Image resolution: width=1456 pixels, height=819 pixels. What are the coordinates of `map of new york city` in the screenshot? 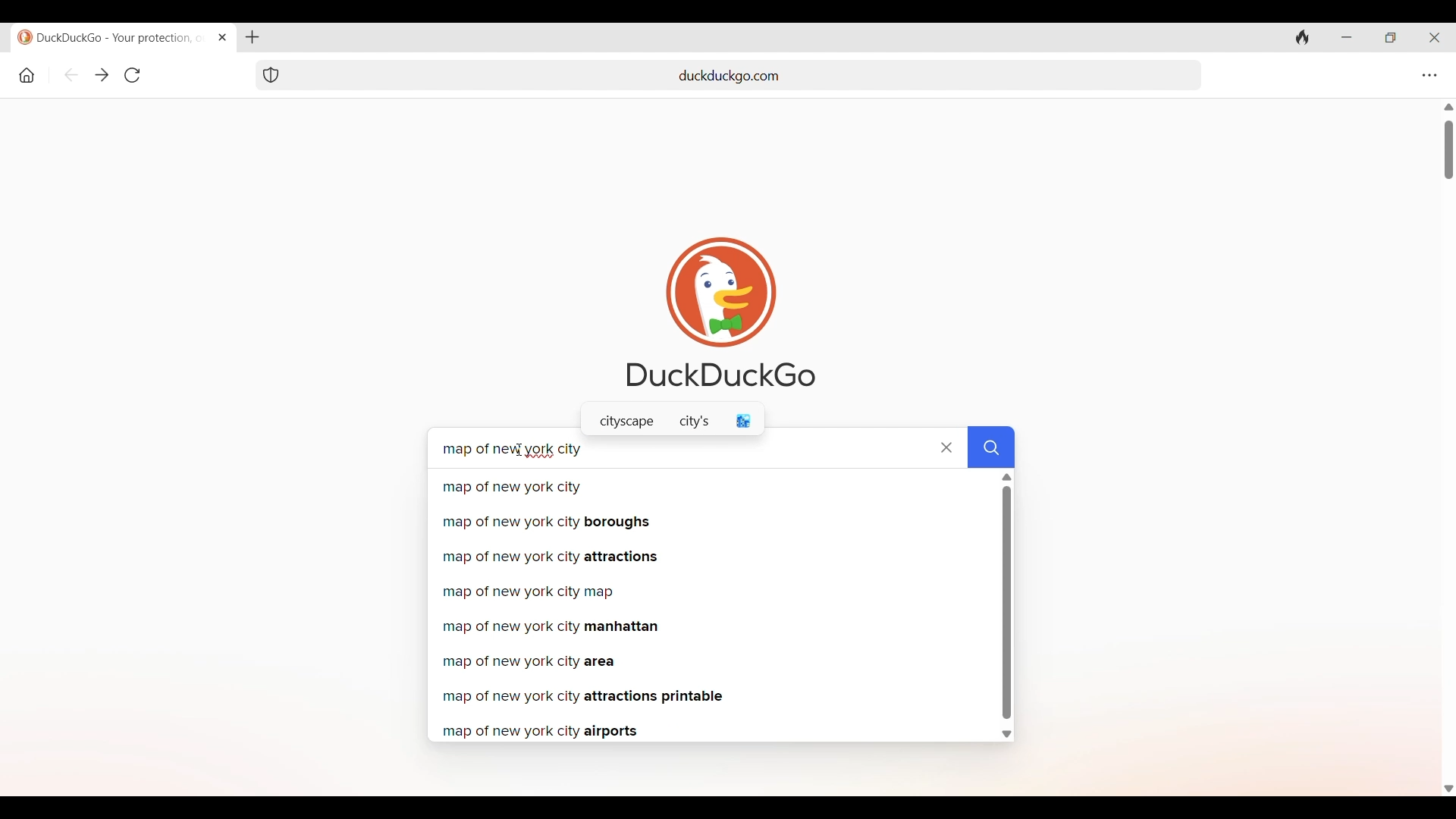 It's located at (513, 449).